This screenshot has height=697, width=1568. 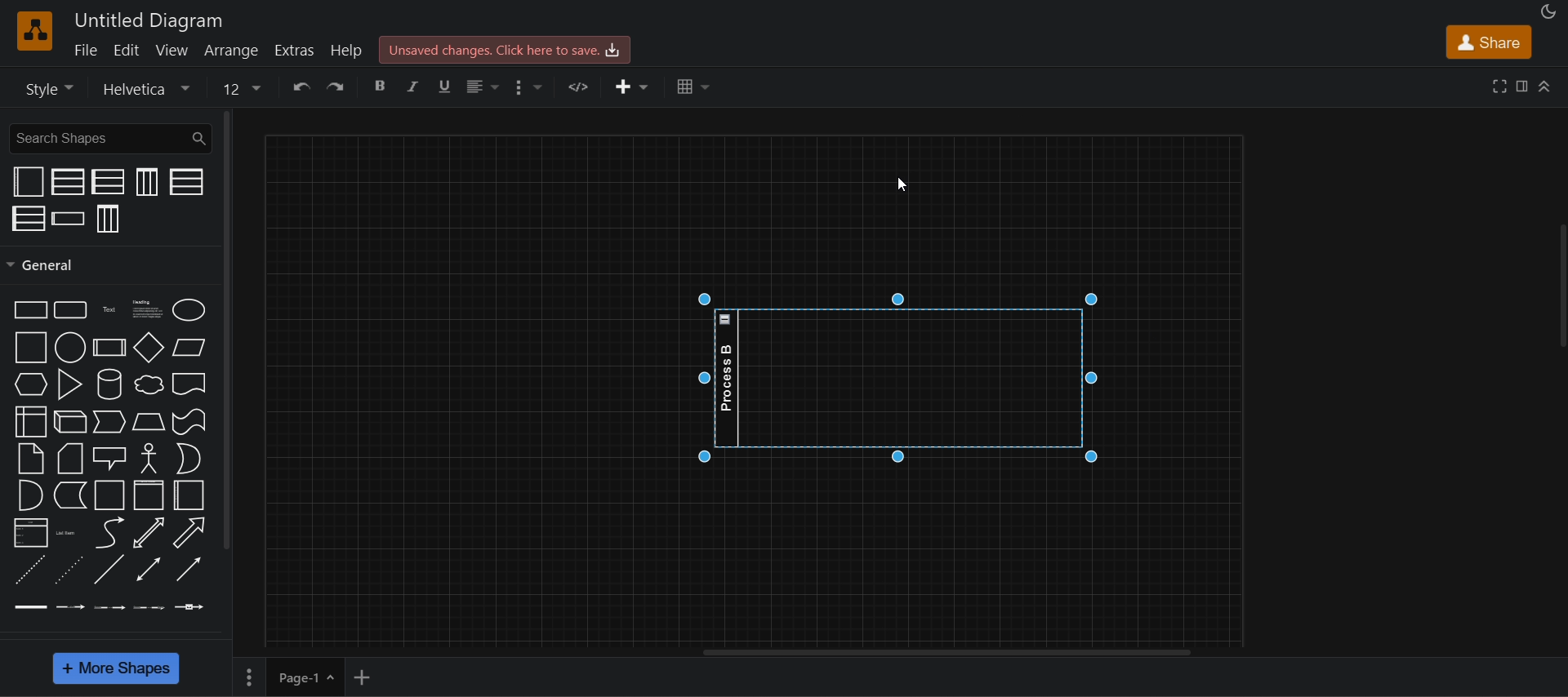 What do you see at coordinates (110, 182) in the screenshot?
I see `horizontal pool 2` at bounding box center [110, 182].